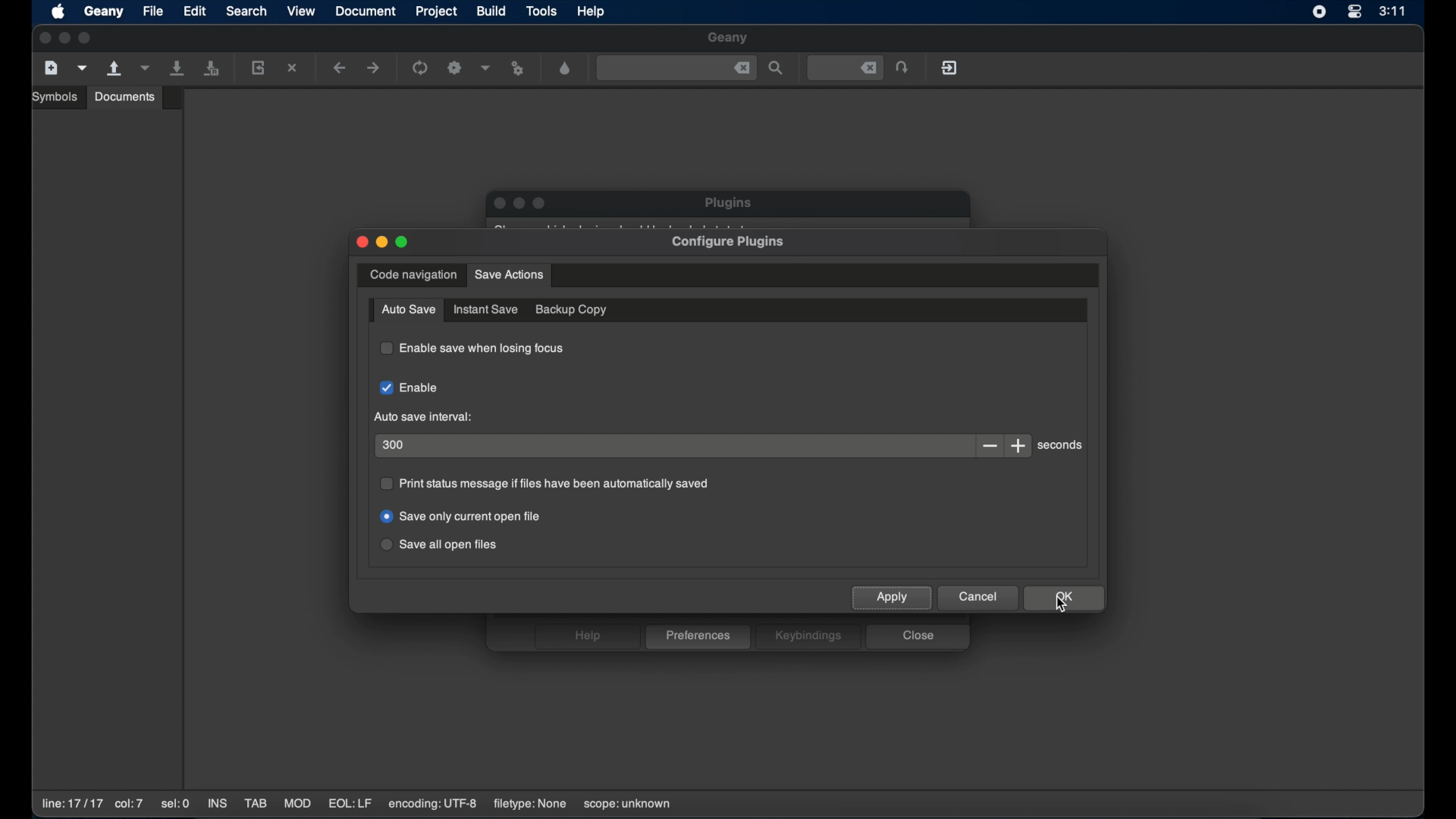 The width and height of the screenshot is (1456, 819). What do you see at coordinates (542, 12) in the screenshot?
I see `tools` at bounding box center [542, 12].